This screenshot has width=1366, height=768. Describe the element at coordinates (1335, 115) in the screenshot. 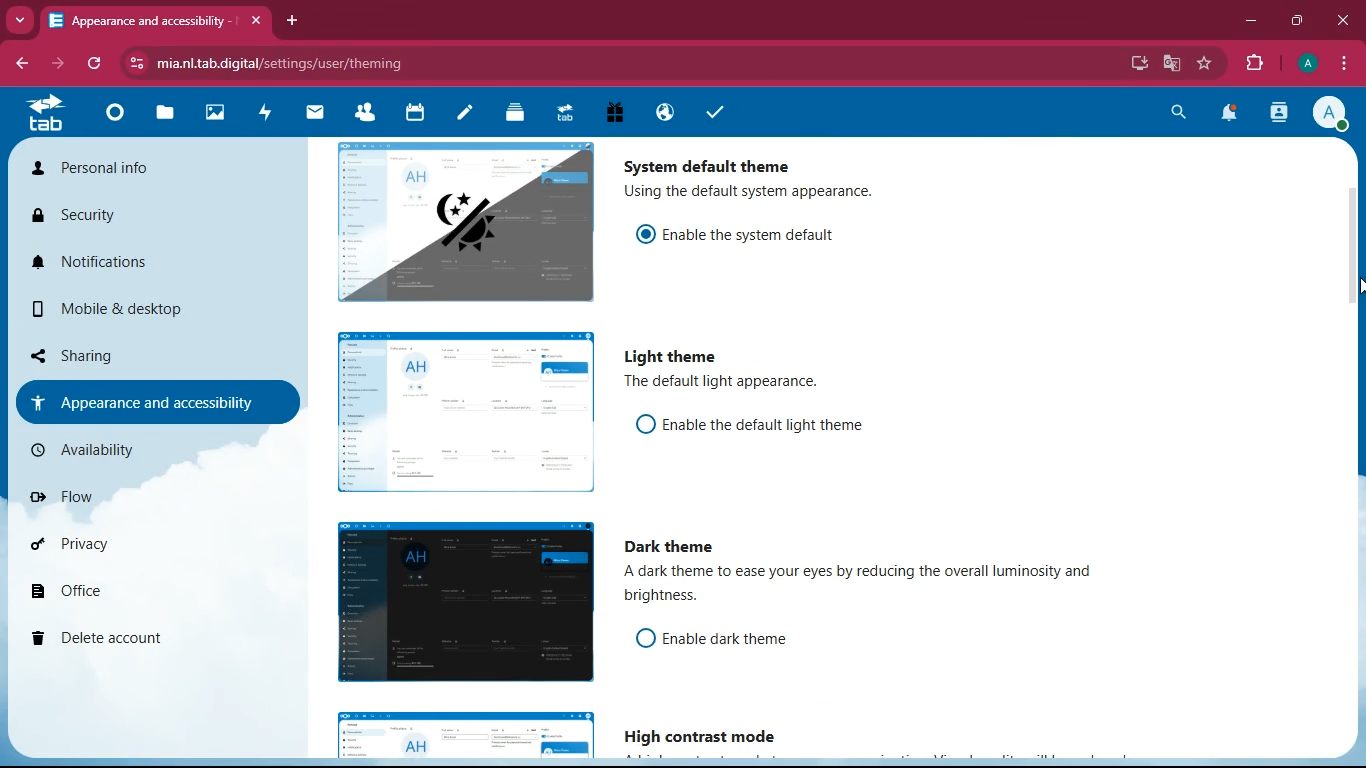

I see `profile` at that location.